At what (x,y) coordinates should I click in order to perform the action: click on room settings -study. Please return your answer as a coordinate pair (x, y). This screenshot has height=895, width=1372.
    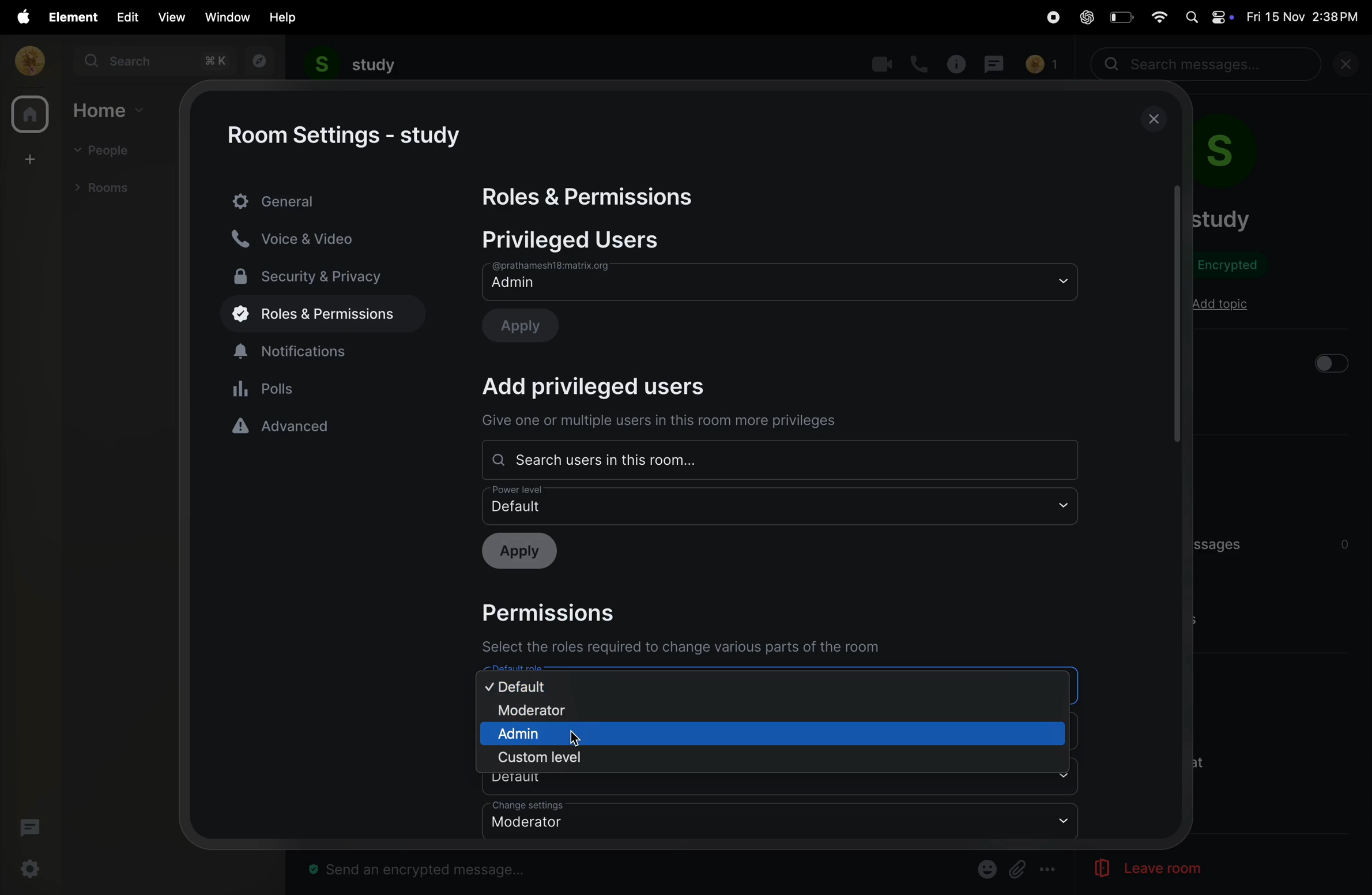
    Looking at the image, I should click on (348, 136).